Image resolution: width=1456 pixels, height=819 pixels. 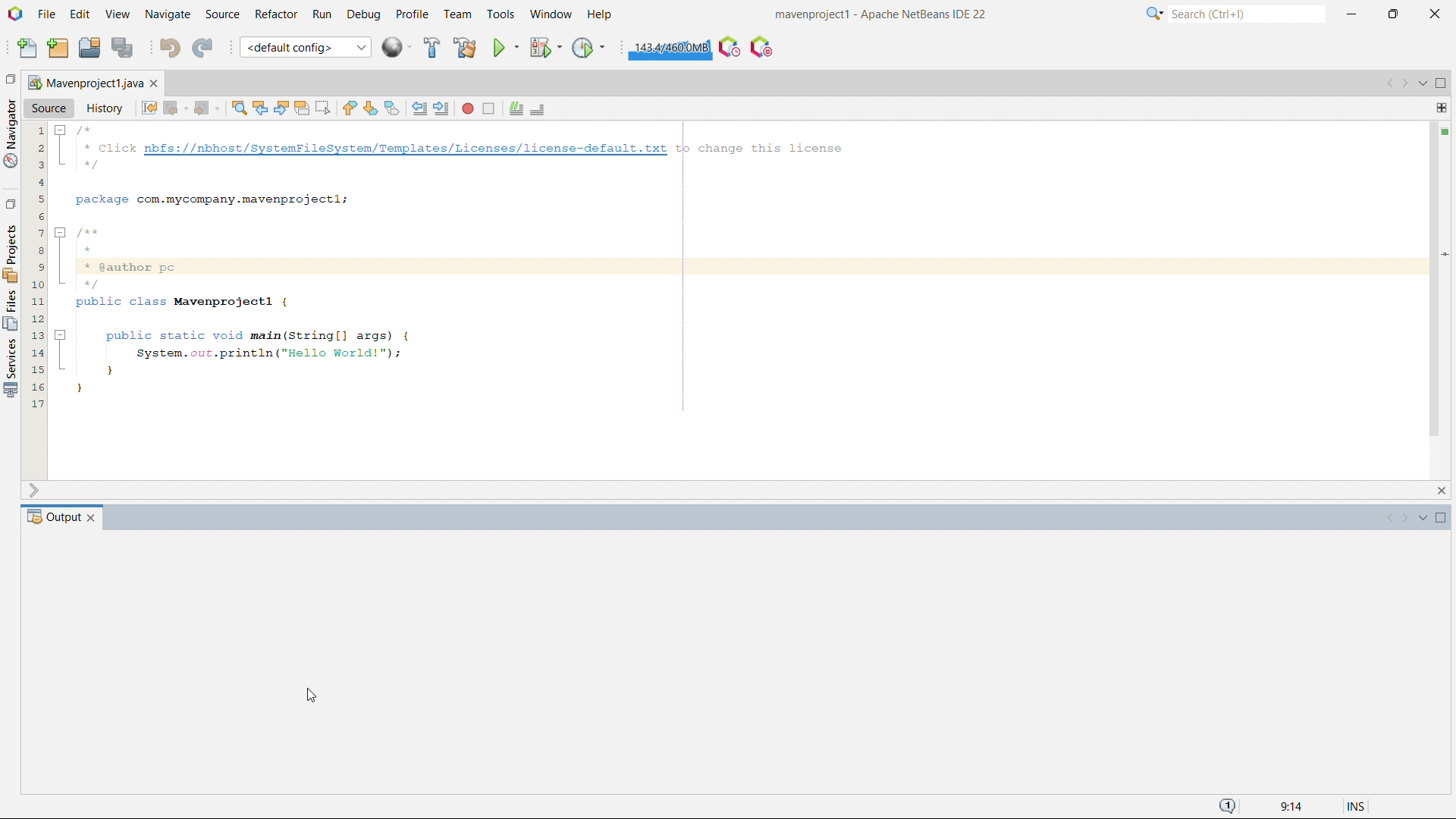 I want to click on pause I/O checks, so click(x=763, y=47).